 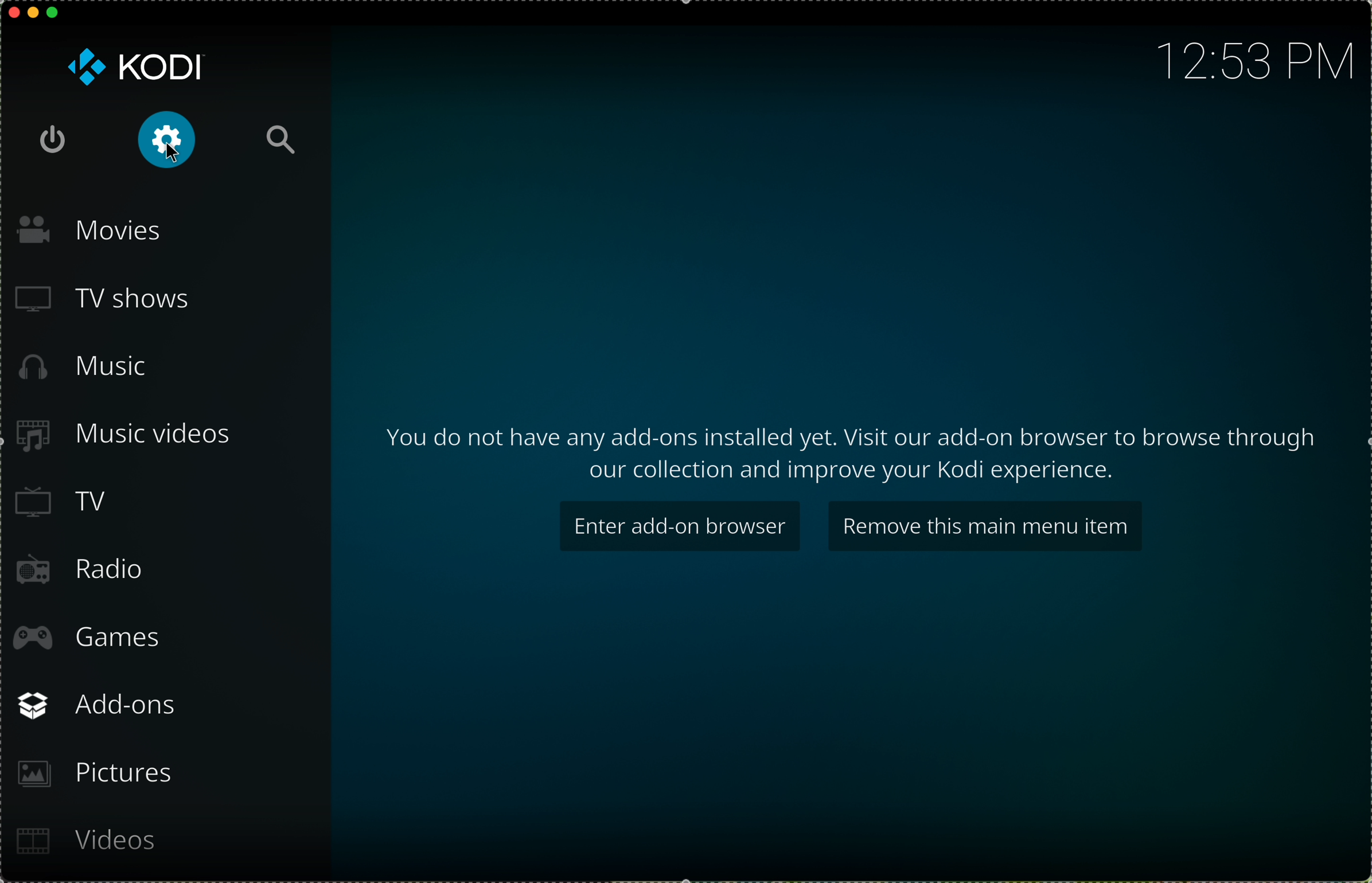 I want to click on add-ons, so click(x=110, y=708).